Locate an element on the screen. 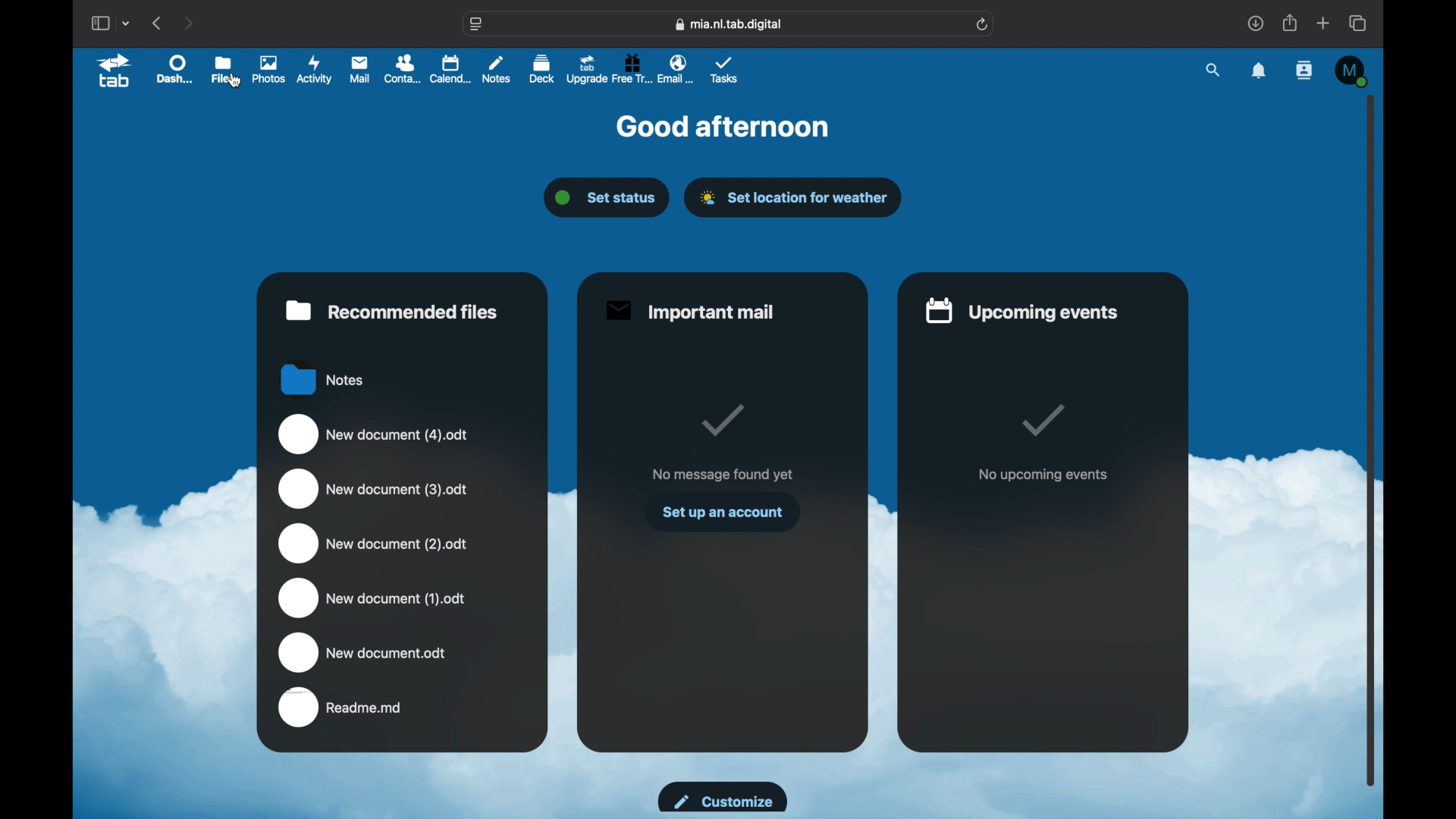 This screenshot has height=819, width=1456. set up an account is located at coordinates (723, 514).